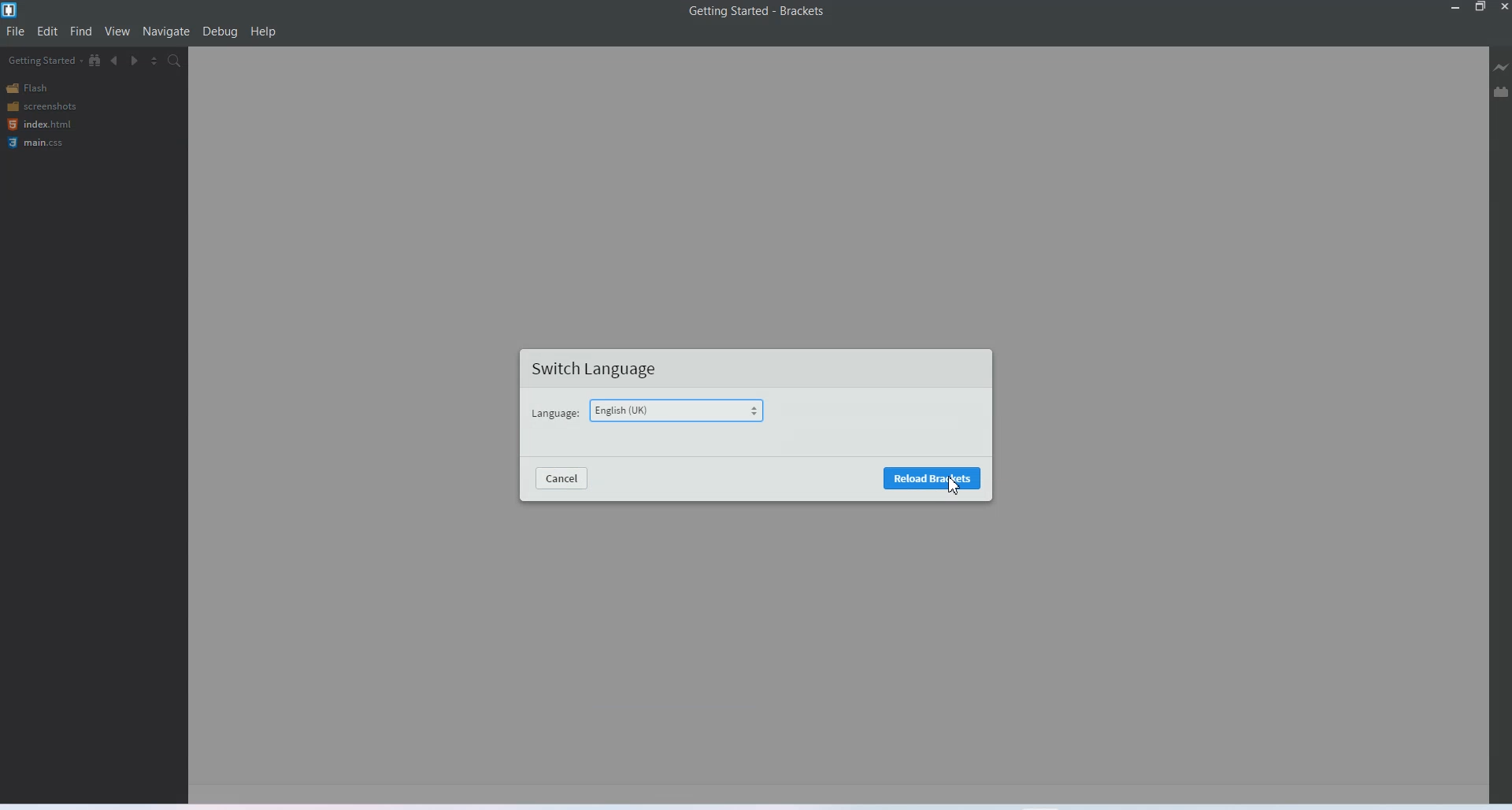 The height and width of the screenshot is (810, 1512). What do you see at coordinates (561, 480) in the screenshot?
I see `cancel` at bounding box center [561, 480].